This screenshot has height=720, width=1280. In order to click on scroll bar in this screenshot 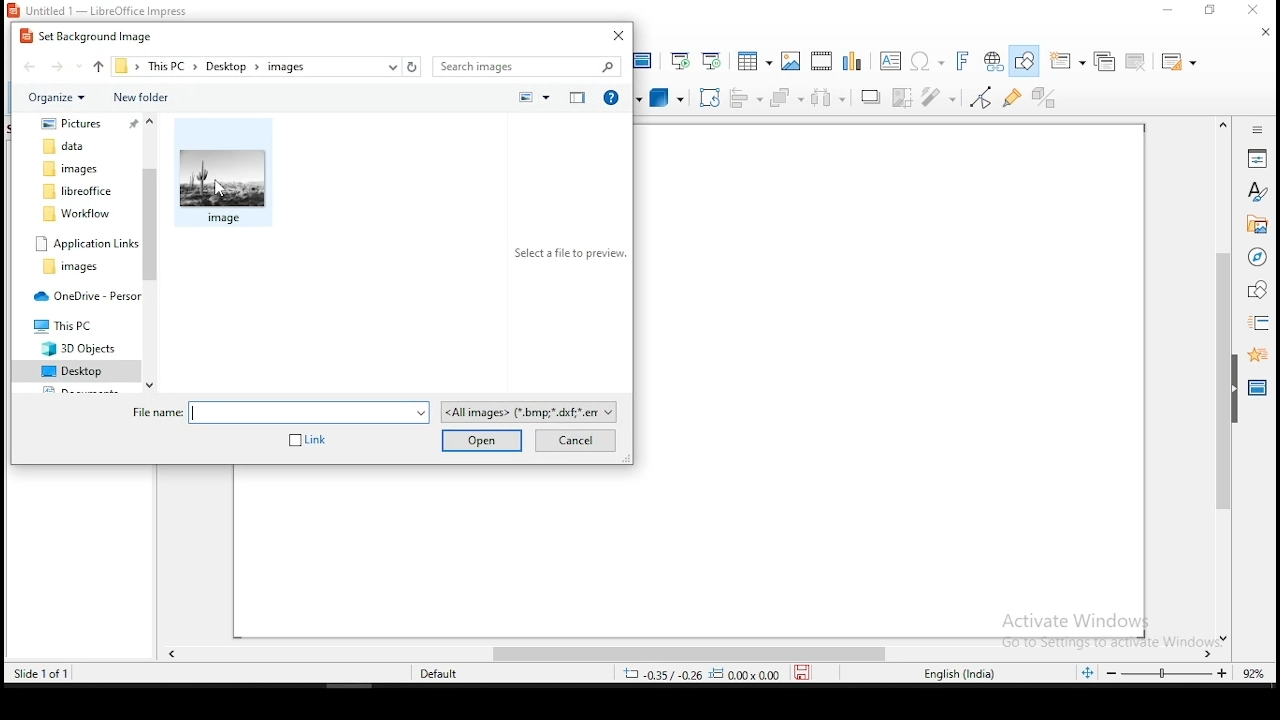, I will do `click(1223, 378)`.